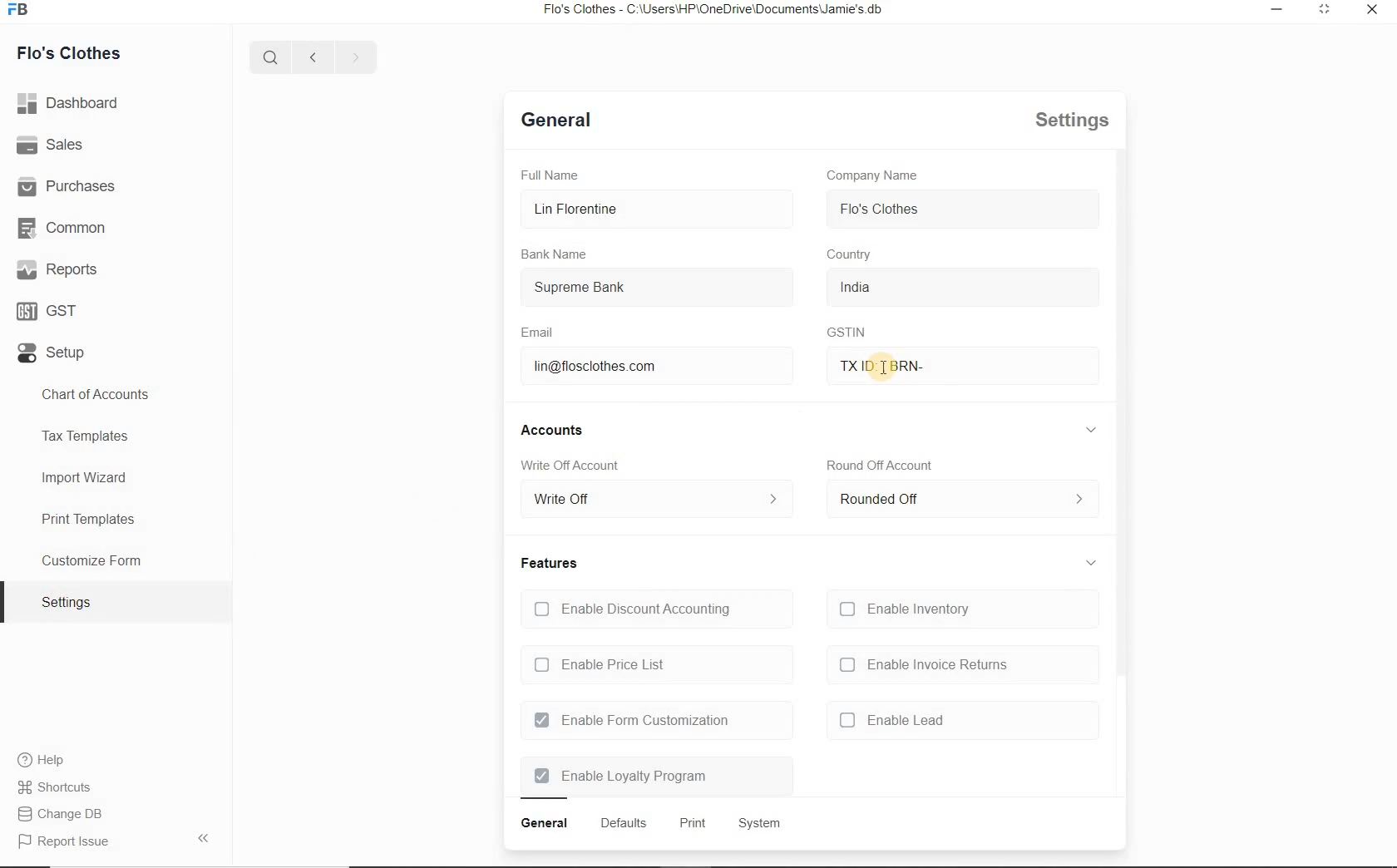  What do you see at coordinates (72, 842) in the screenshot?
I see `report issue` at bounding box center [72, 842].